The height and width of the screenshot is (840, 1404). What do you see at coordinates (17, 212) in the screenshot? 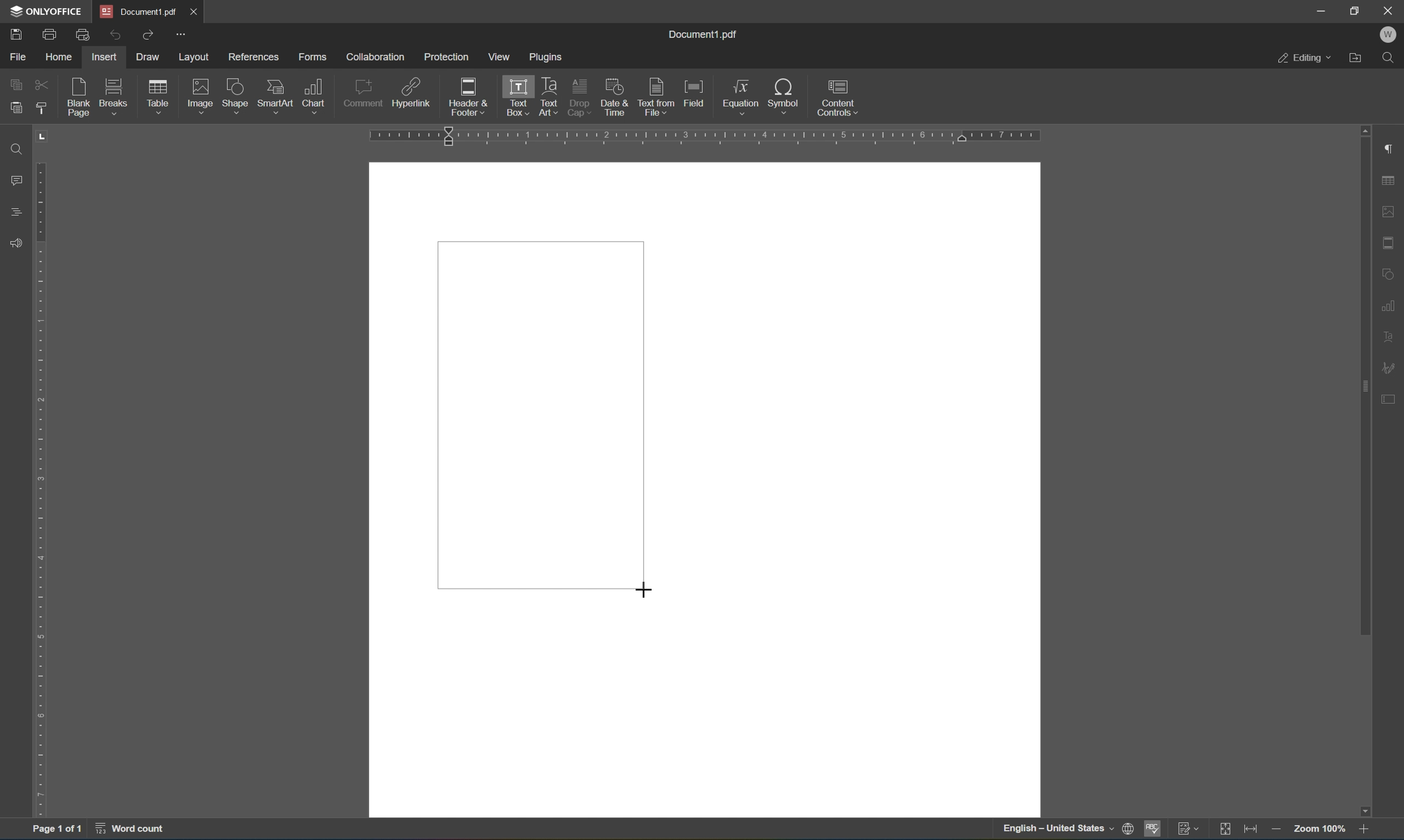
I see `Headings` at bounding box center [17, 212].